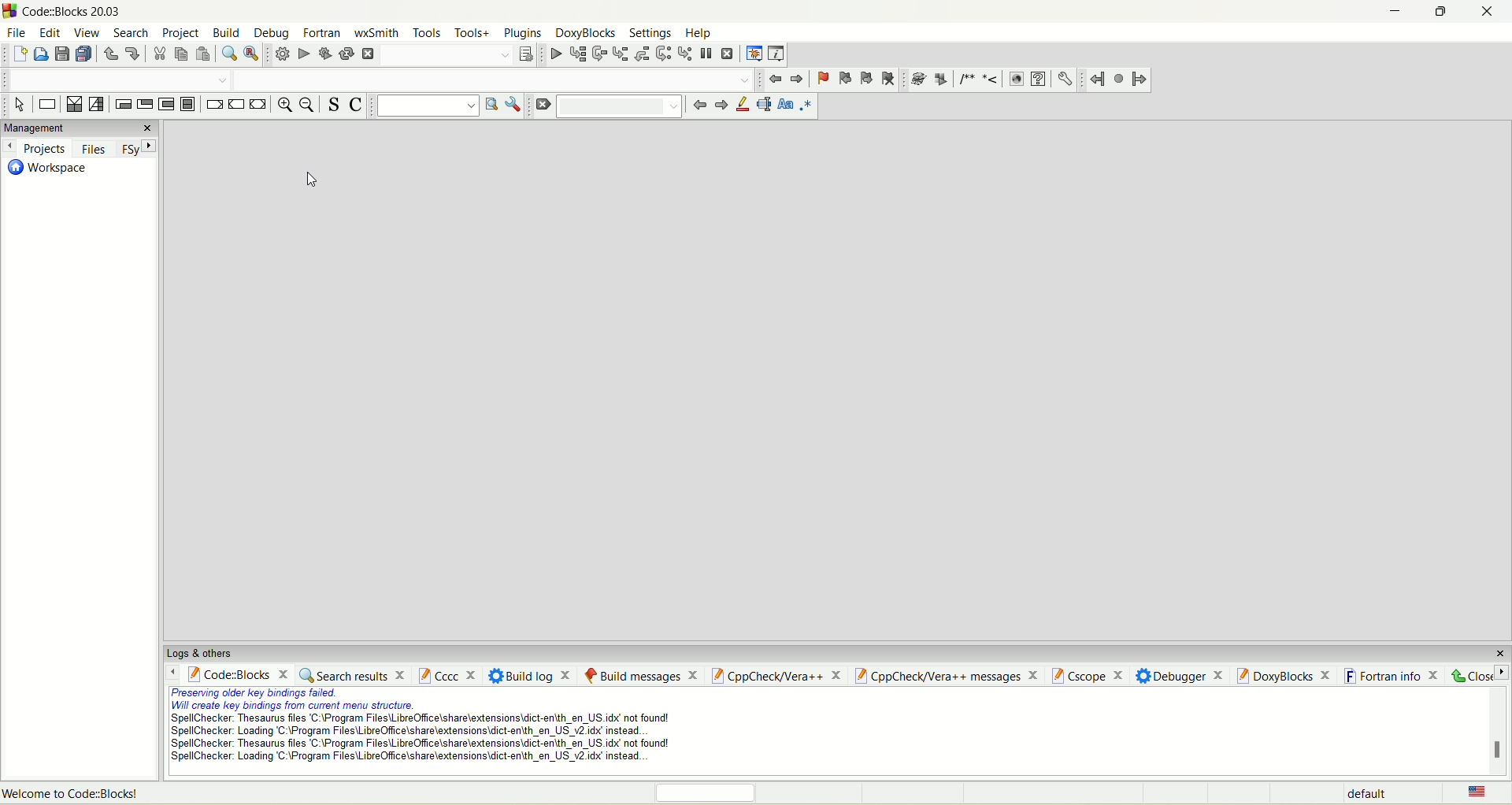  I want to click on text search, so click(424, 108).